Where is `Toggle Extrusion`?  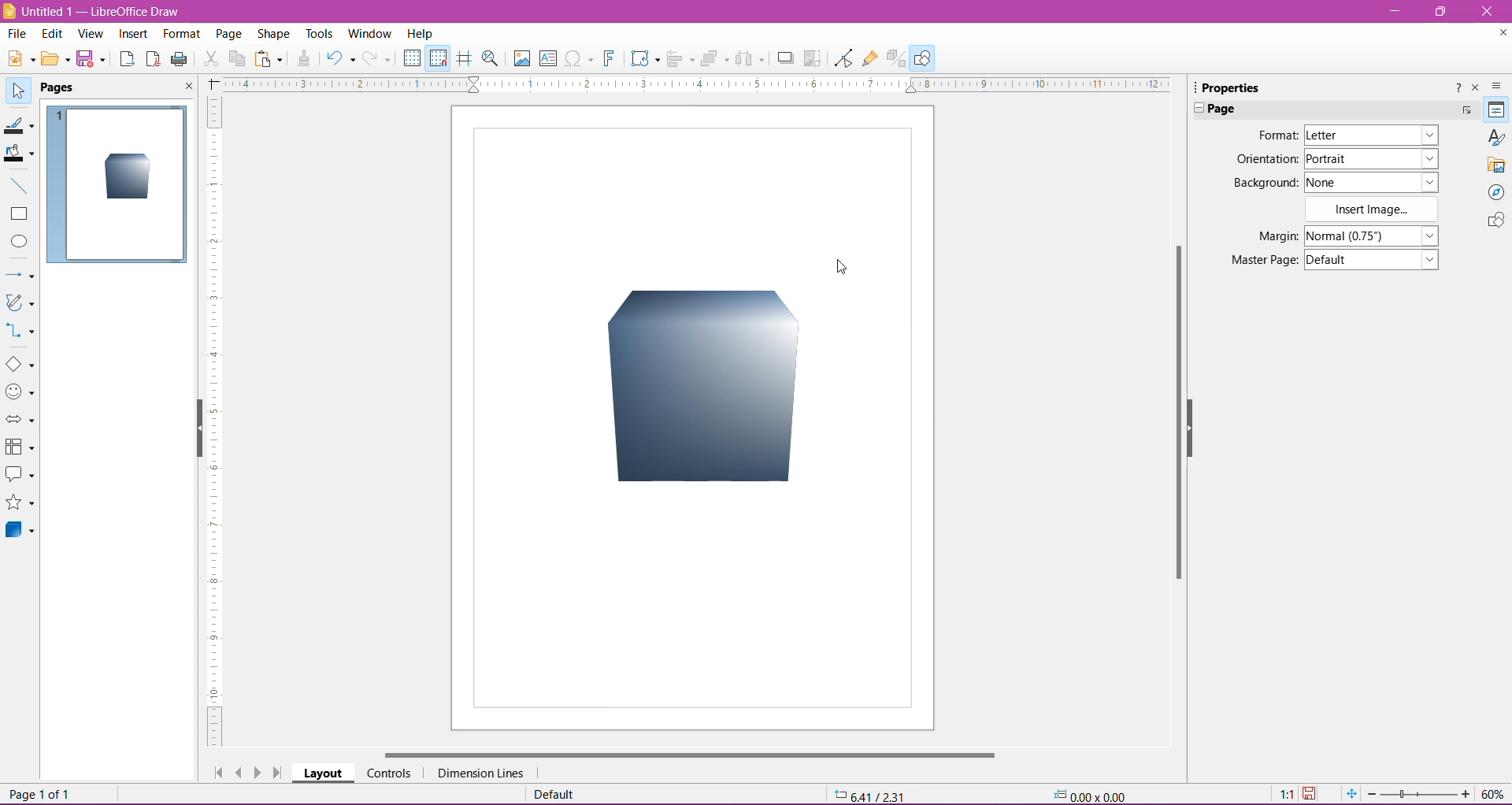
Toggle Extrusion is located at coordinates (897, 58).